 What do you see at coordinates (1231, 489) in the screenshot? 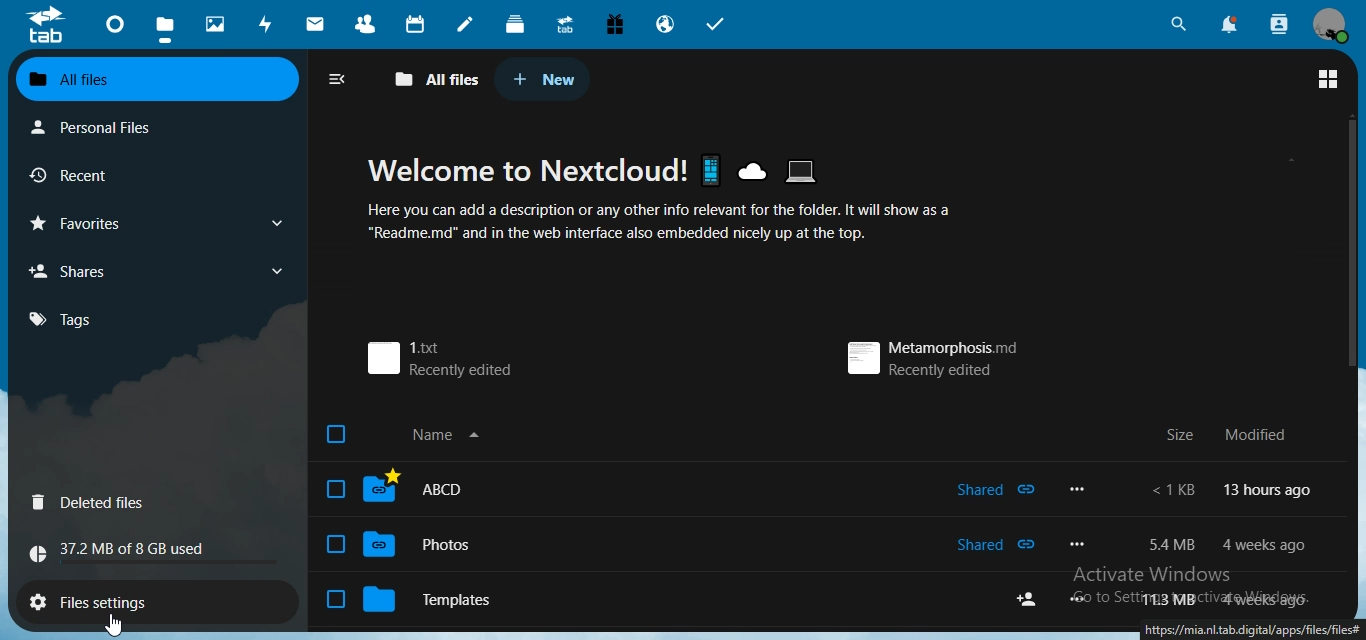
I see `text` at bounding box center [1231, 489].